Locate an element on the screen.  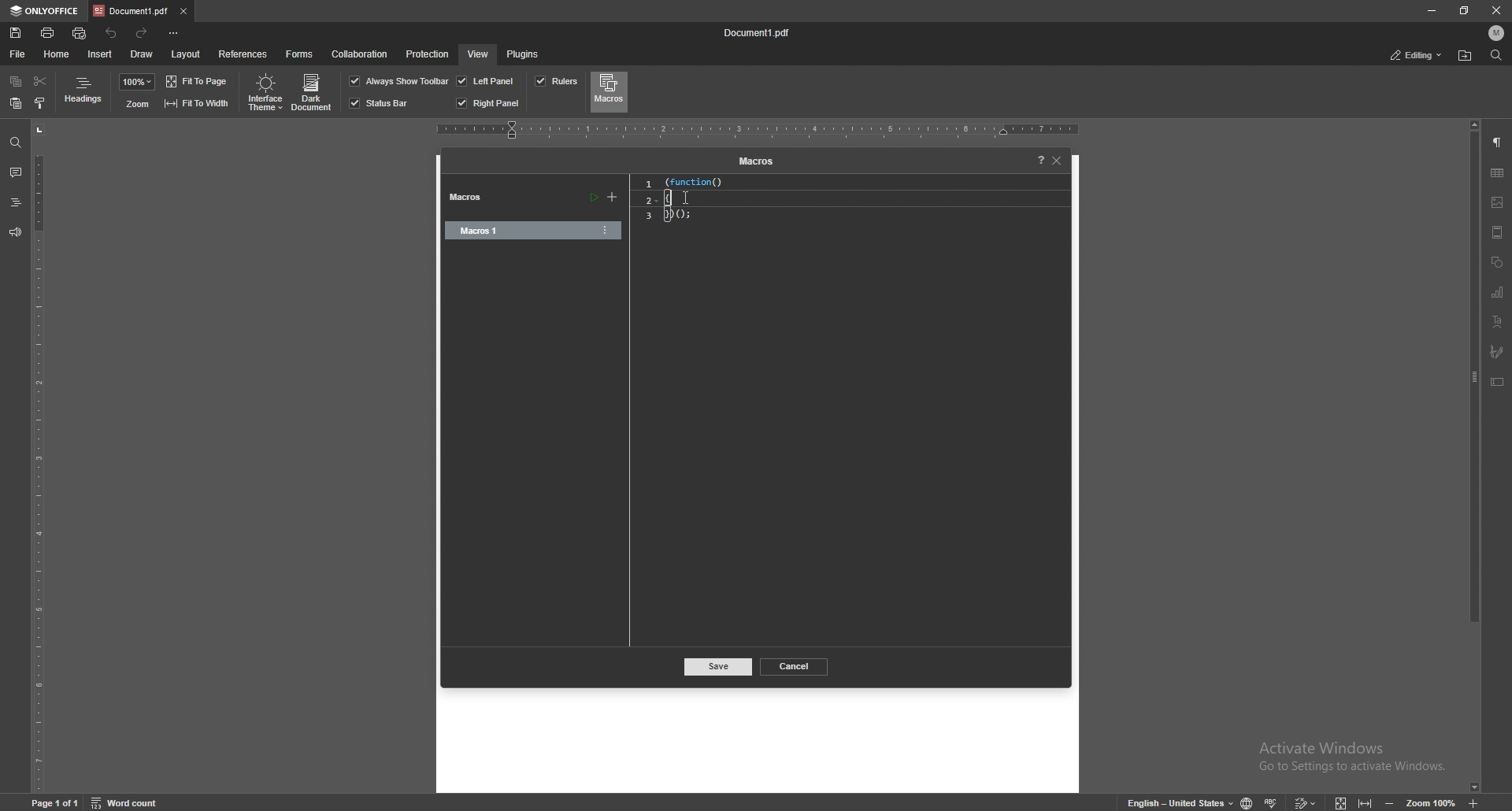
macros is located at coordinates (609, 91).